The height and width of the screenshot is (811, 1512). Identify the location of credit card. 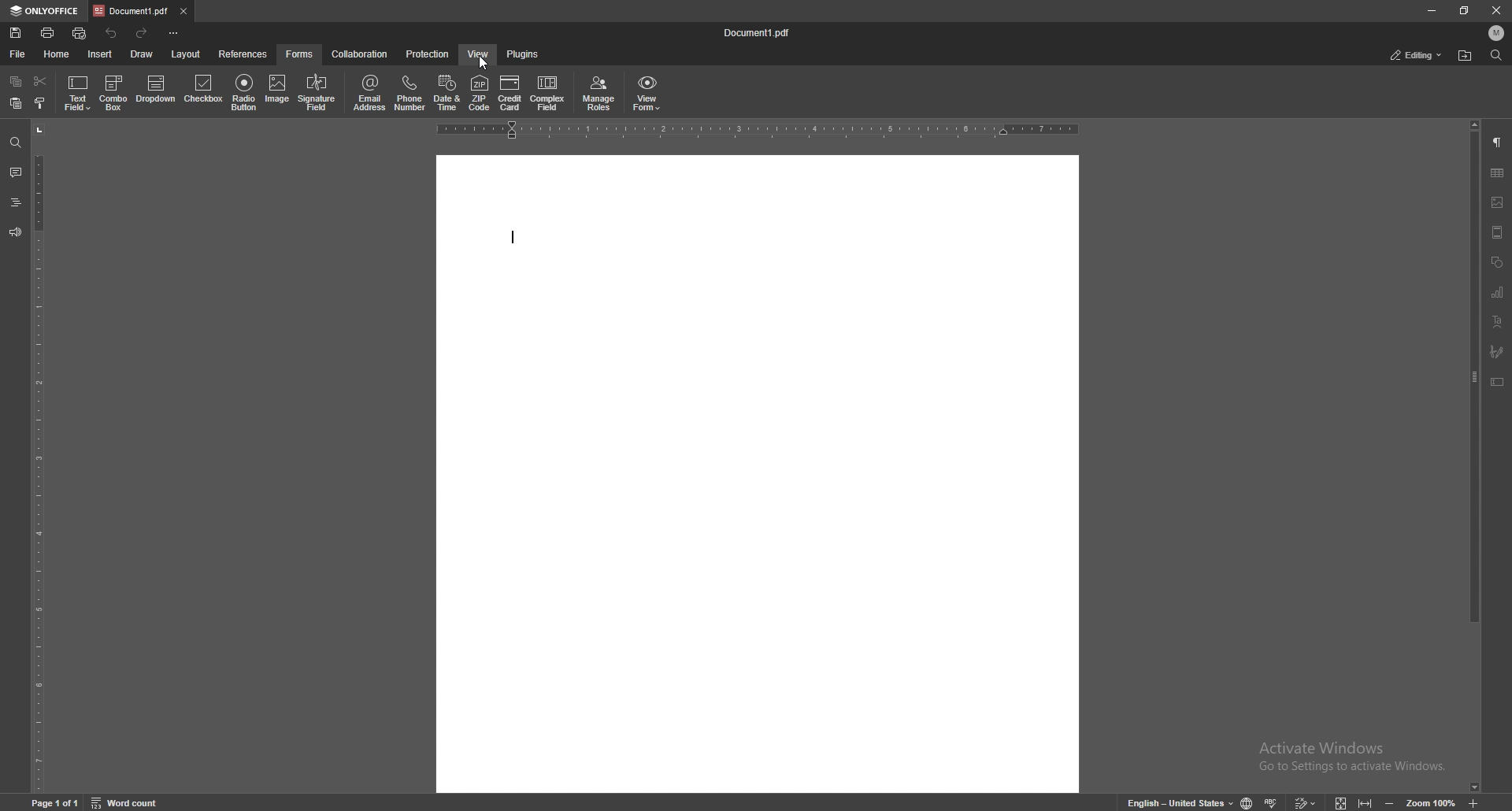
(510, 94).